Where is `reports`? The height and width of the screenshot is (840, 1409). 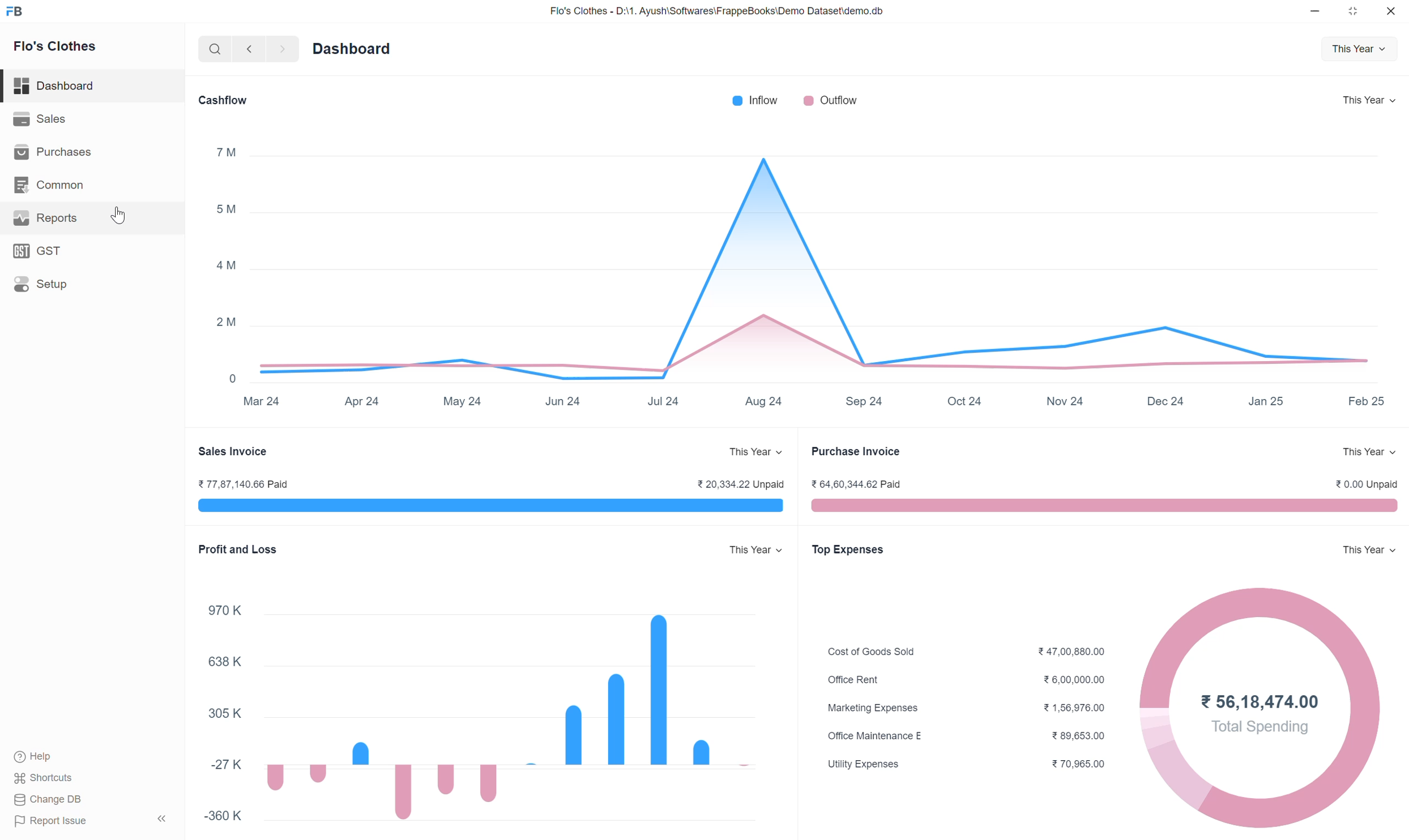
reports is located at coordinates (95, 218).